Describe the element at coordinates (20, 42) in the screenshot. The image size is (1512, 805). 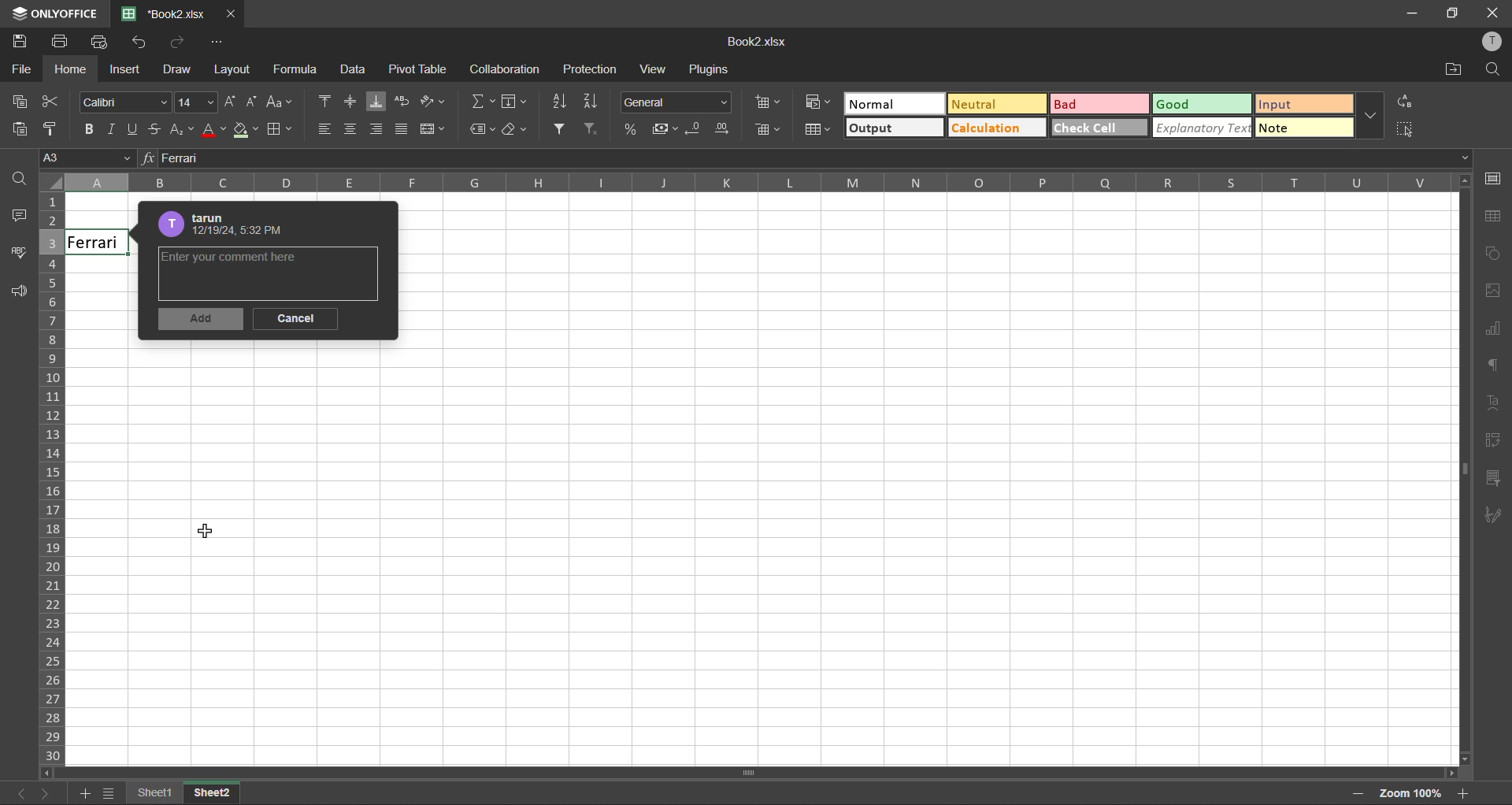
I see `save` at that location.